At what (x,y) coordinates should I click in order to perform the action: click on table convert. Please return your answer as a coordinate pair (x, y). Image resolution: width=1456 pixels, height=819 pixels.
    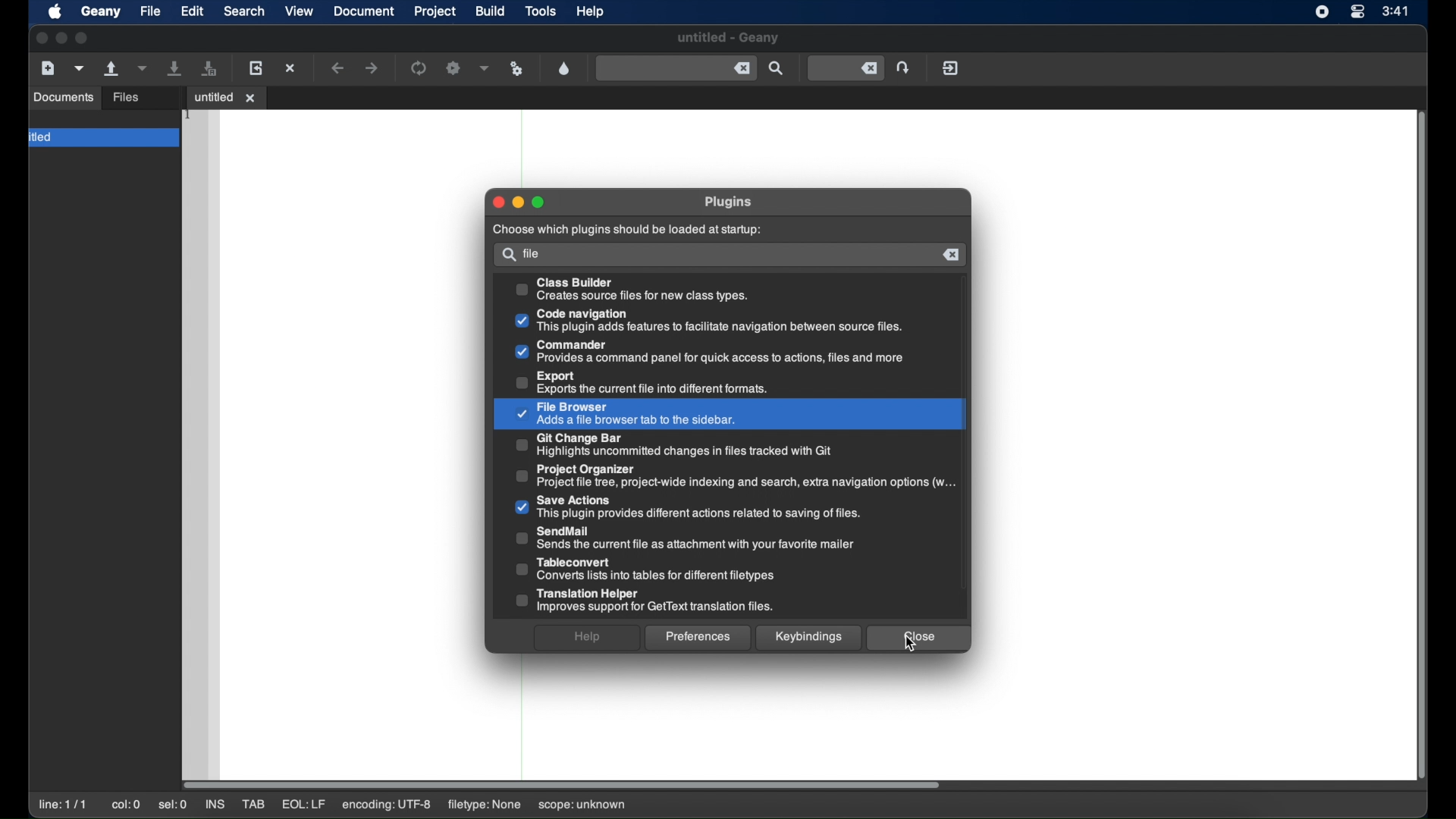
    Looking at the image, I should click on (645, 570).